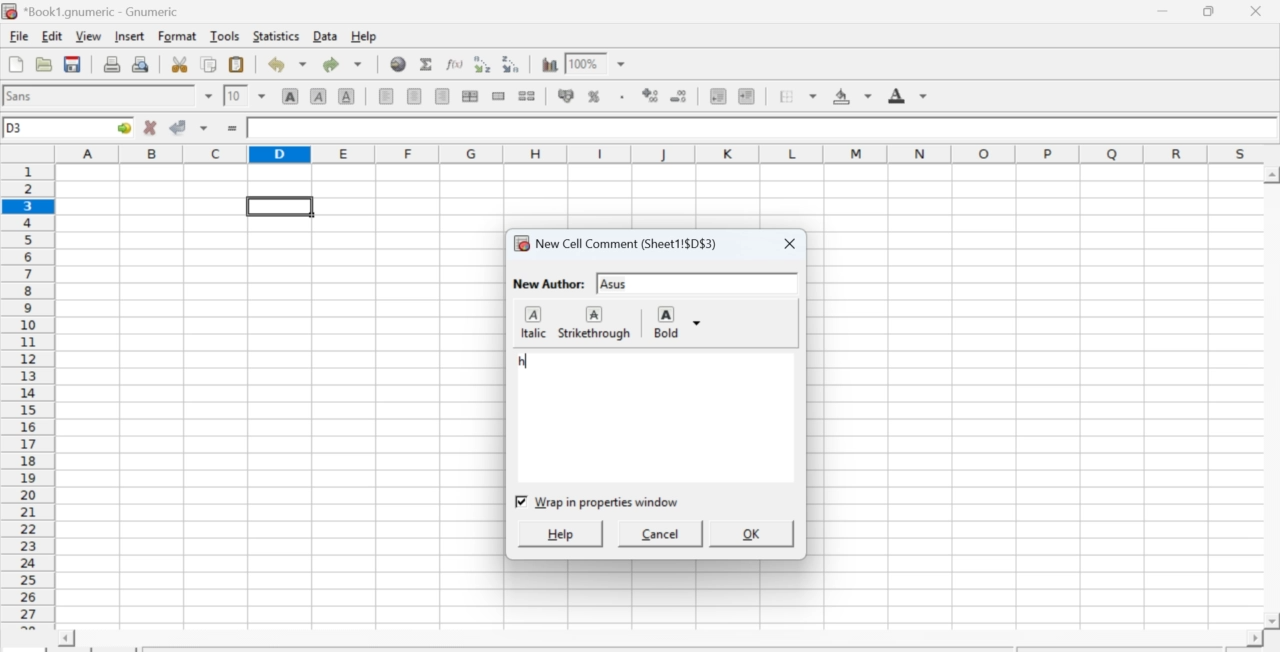  I want to click on Open a file, so click(42, 65).